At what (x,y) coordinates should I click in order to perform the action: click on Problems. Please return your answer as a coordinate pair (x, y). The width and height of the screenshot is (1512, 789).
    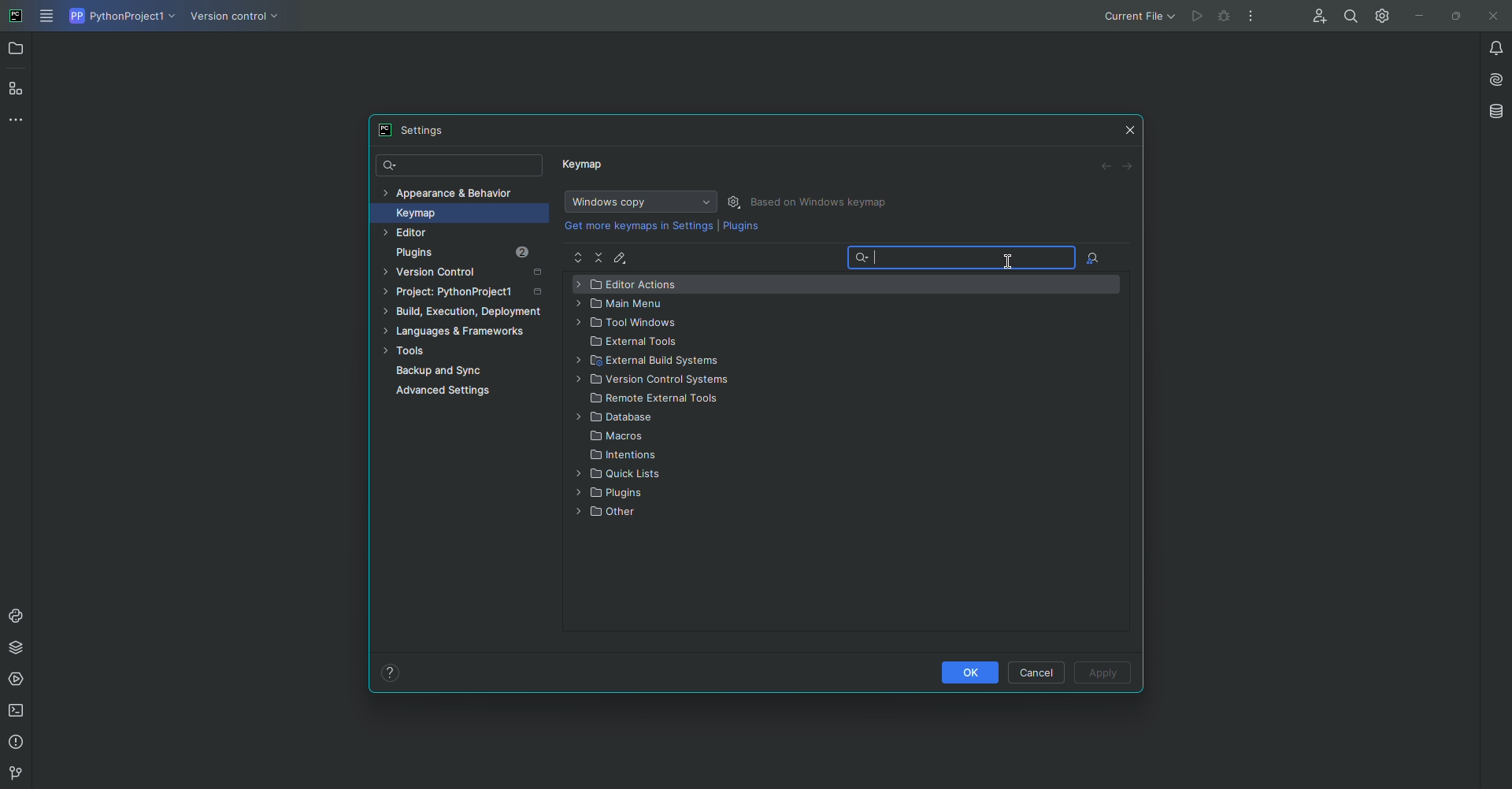
    Looking at the image, I should click on (18, 743).